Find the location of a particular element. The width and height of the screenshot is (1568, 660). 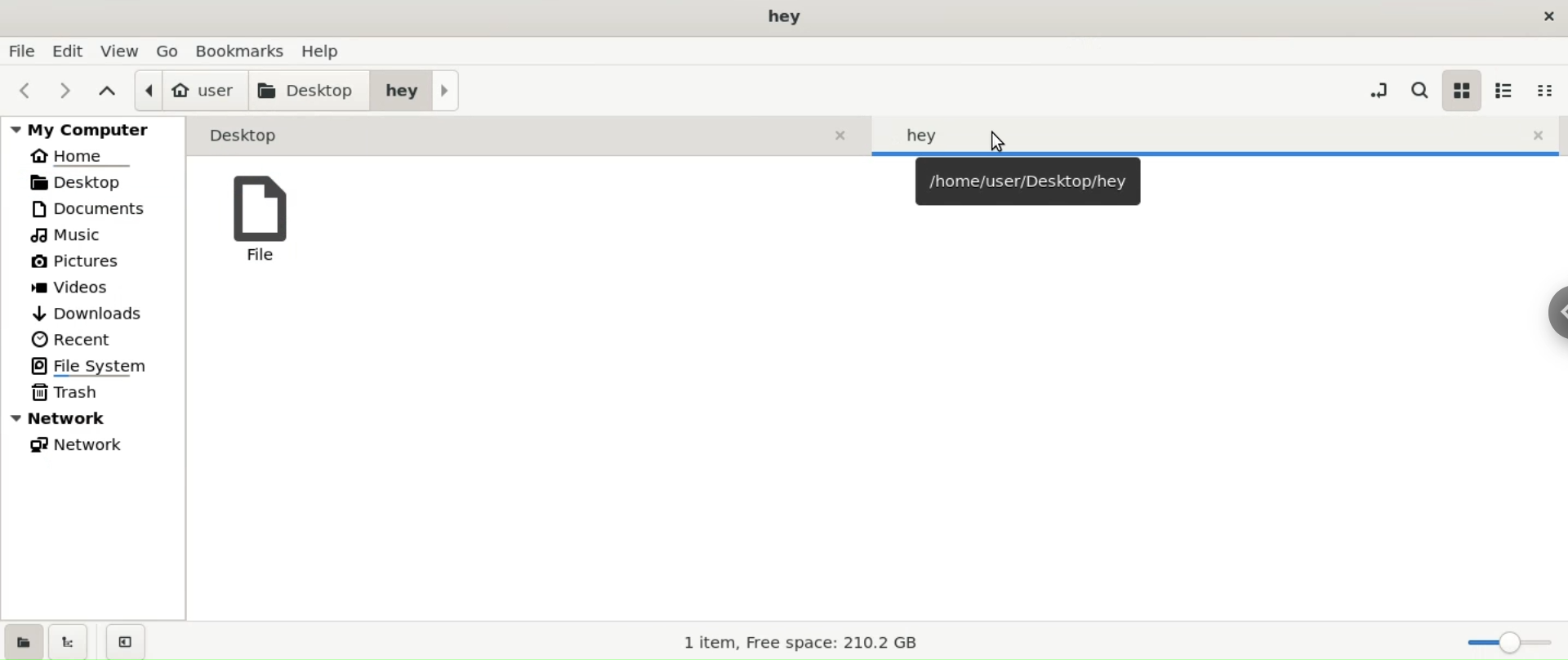

pictures is located at coordinates (100, 263).